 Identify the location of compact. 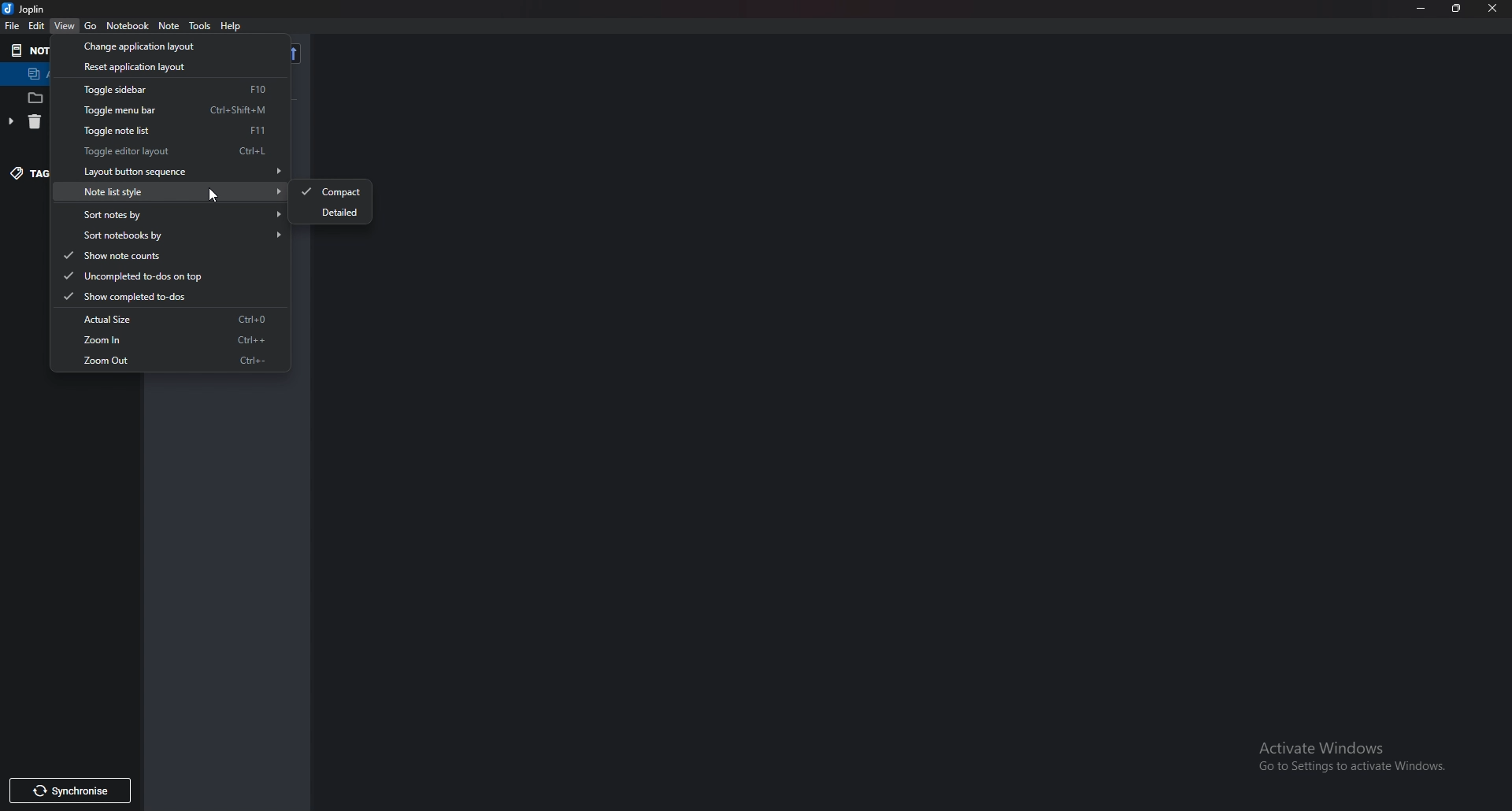
(332, 192).